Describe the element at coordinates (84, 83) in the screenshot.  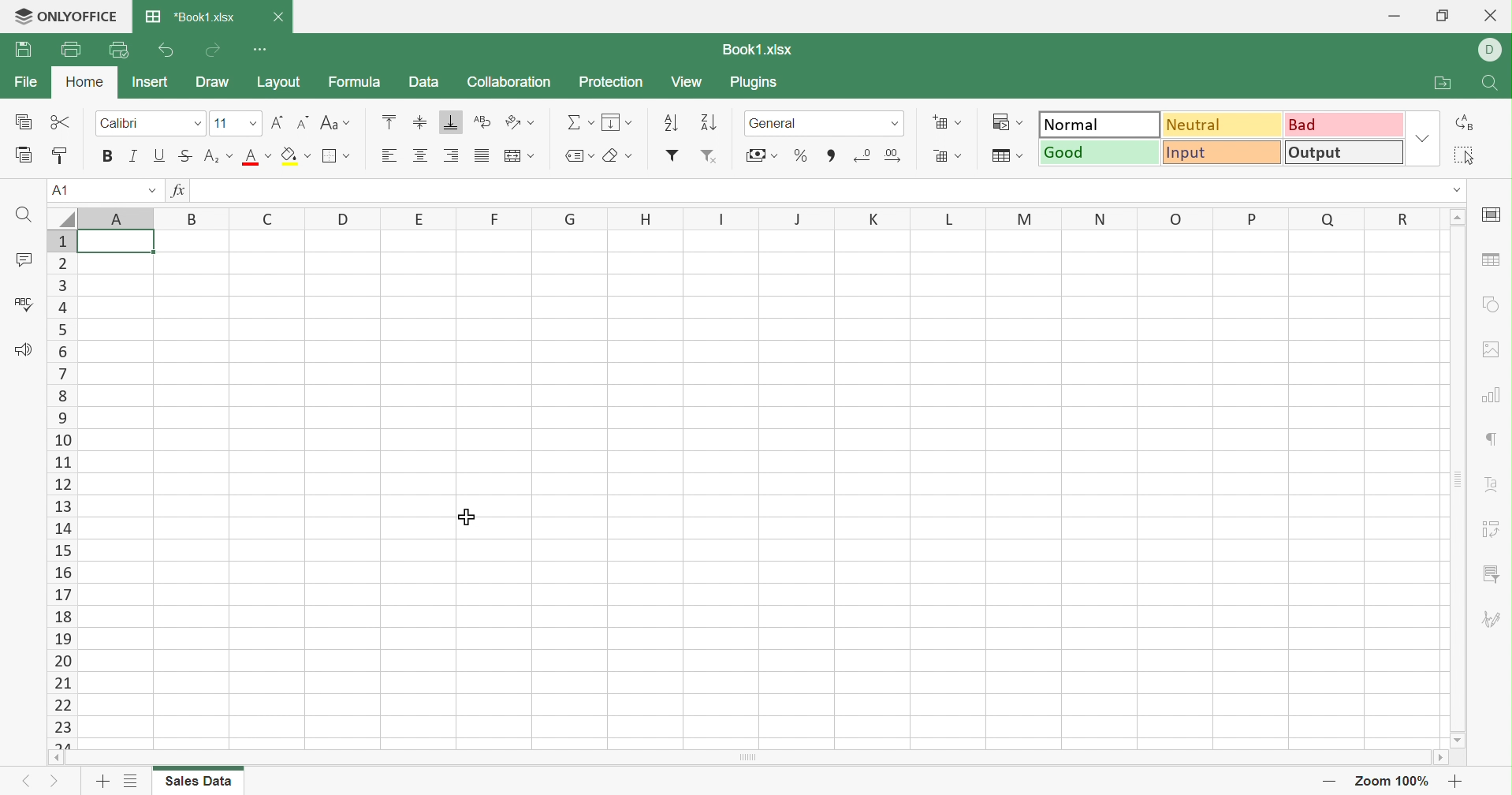
I see `Home` at that location.